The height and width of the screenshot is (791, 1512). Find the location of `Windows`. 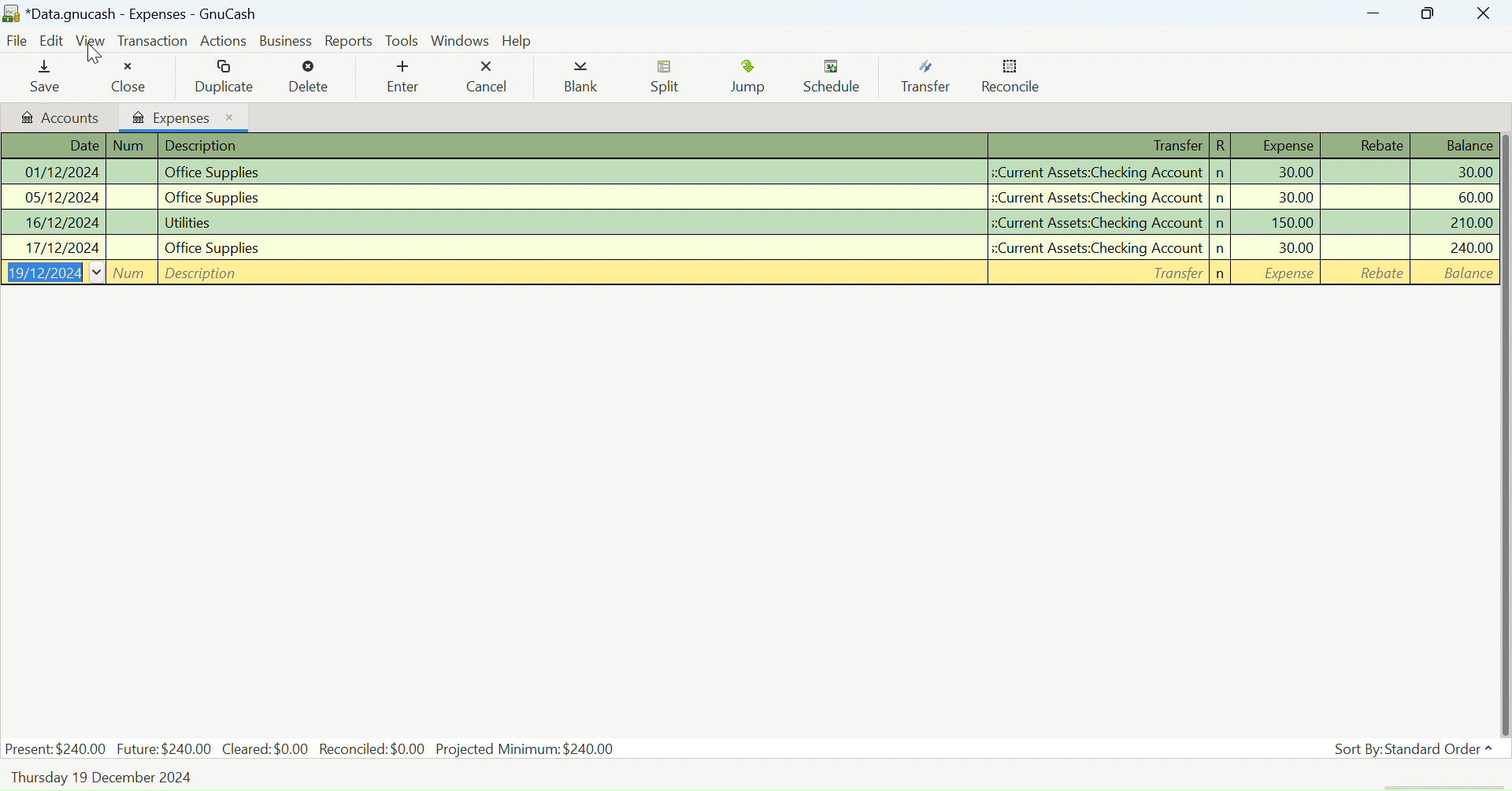

Windows is located at coordinates (461, 40).